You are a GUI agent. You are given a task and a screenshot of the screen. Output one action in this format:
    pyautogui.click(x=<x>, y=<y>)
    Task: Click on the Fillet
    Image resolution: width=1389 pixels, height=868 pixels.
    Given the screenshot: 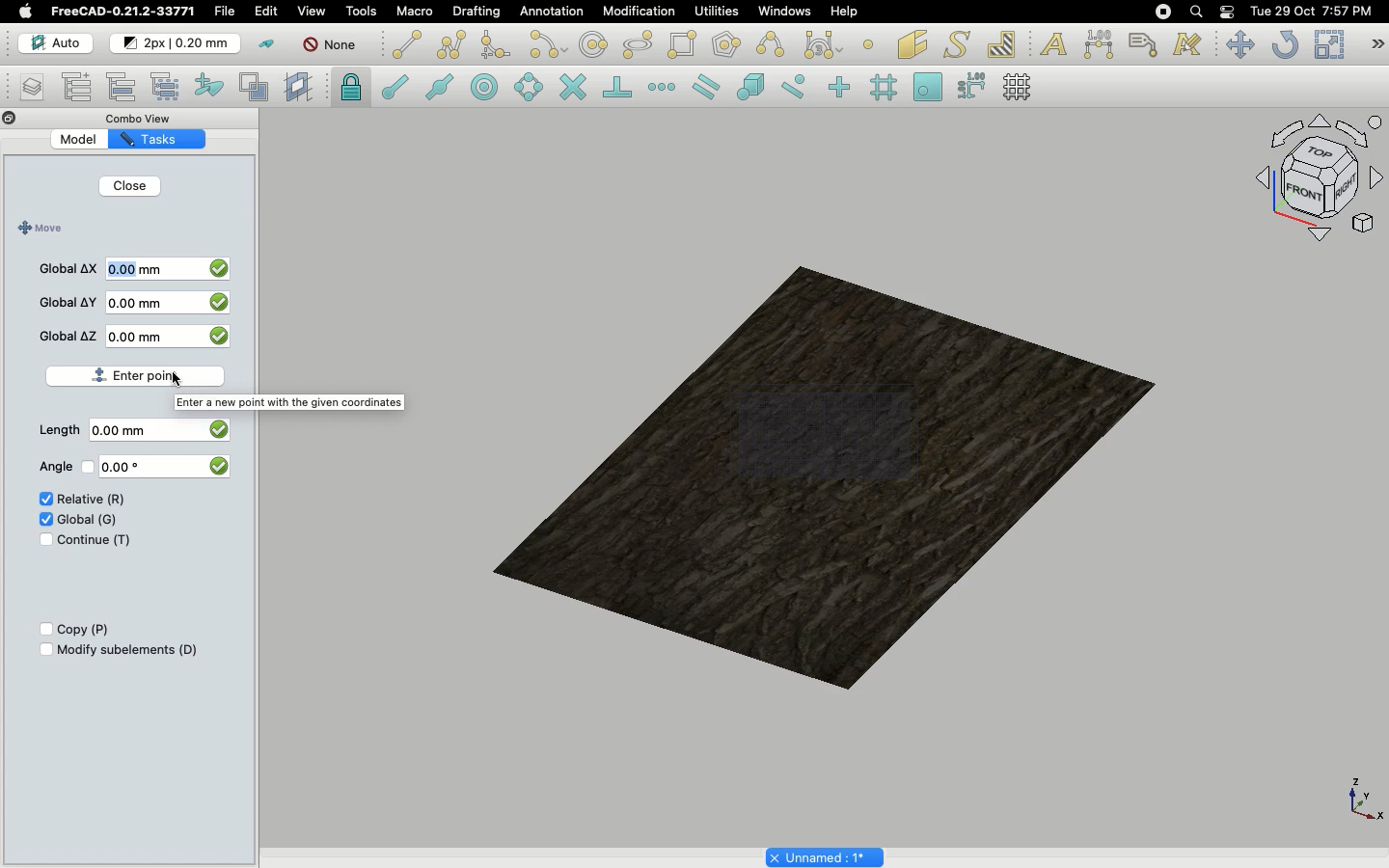 What is the action you would take?
    pyautogui.click(x=494, y=47)
    